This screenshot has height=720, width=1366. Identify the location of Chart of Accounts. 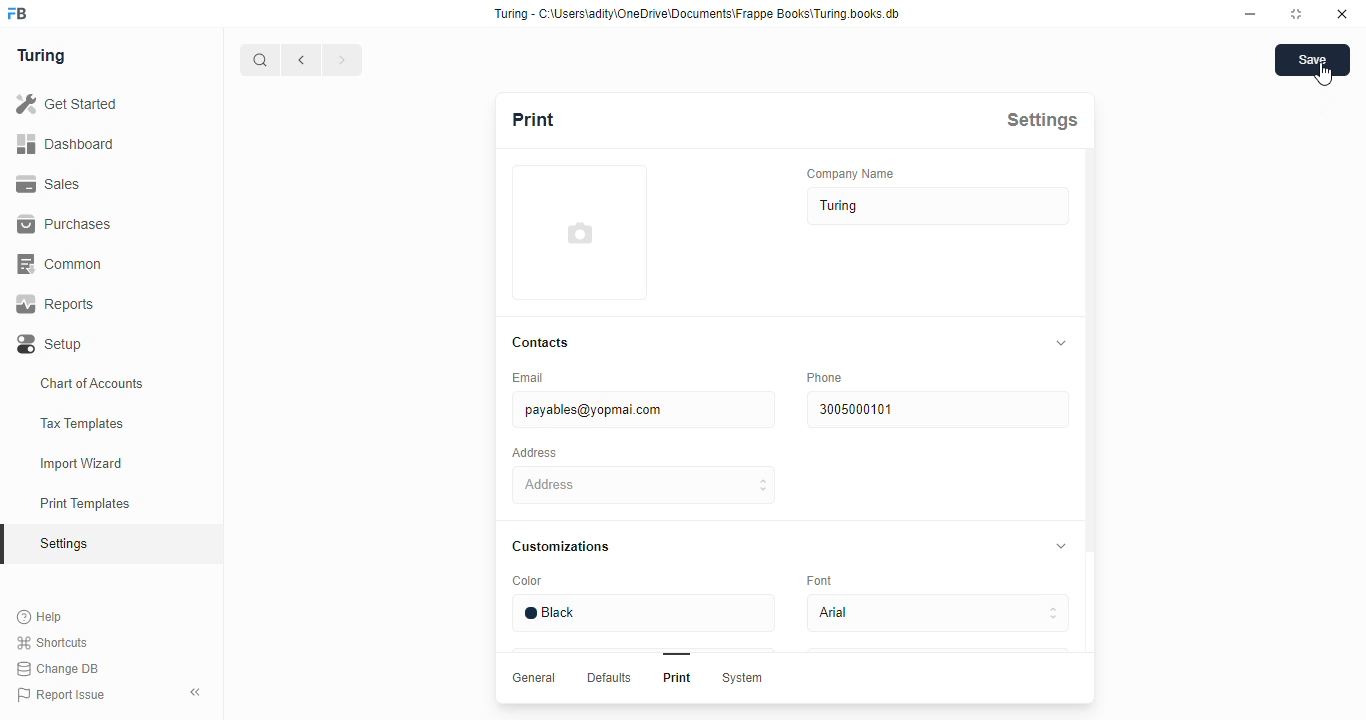
(100, 382).